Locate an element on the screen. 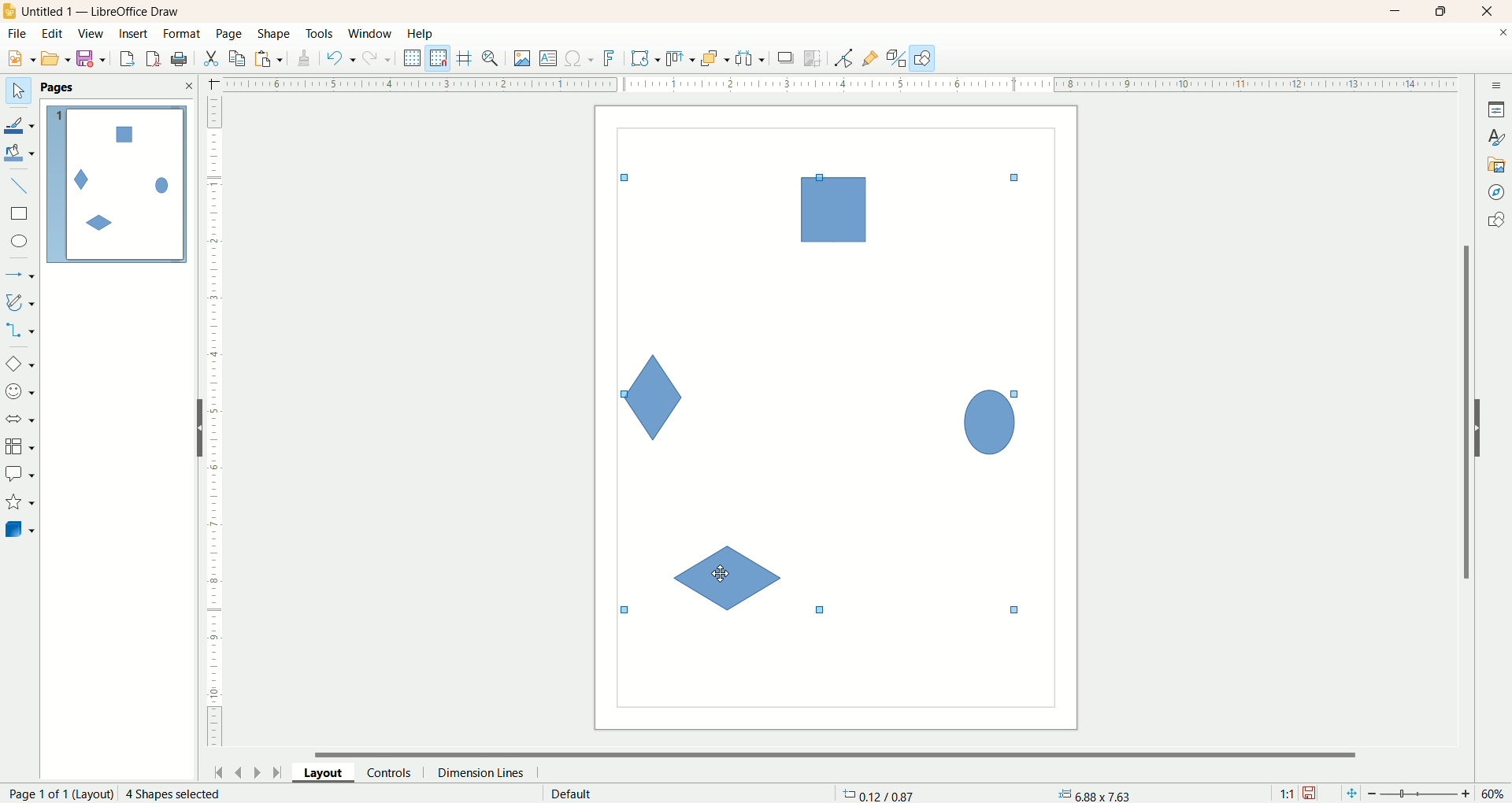 The image size is (1512, 803). crop image is located at coordinates (813, 58).